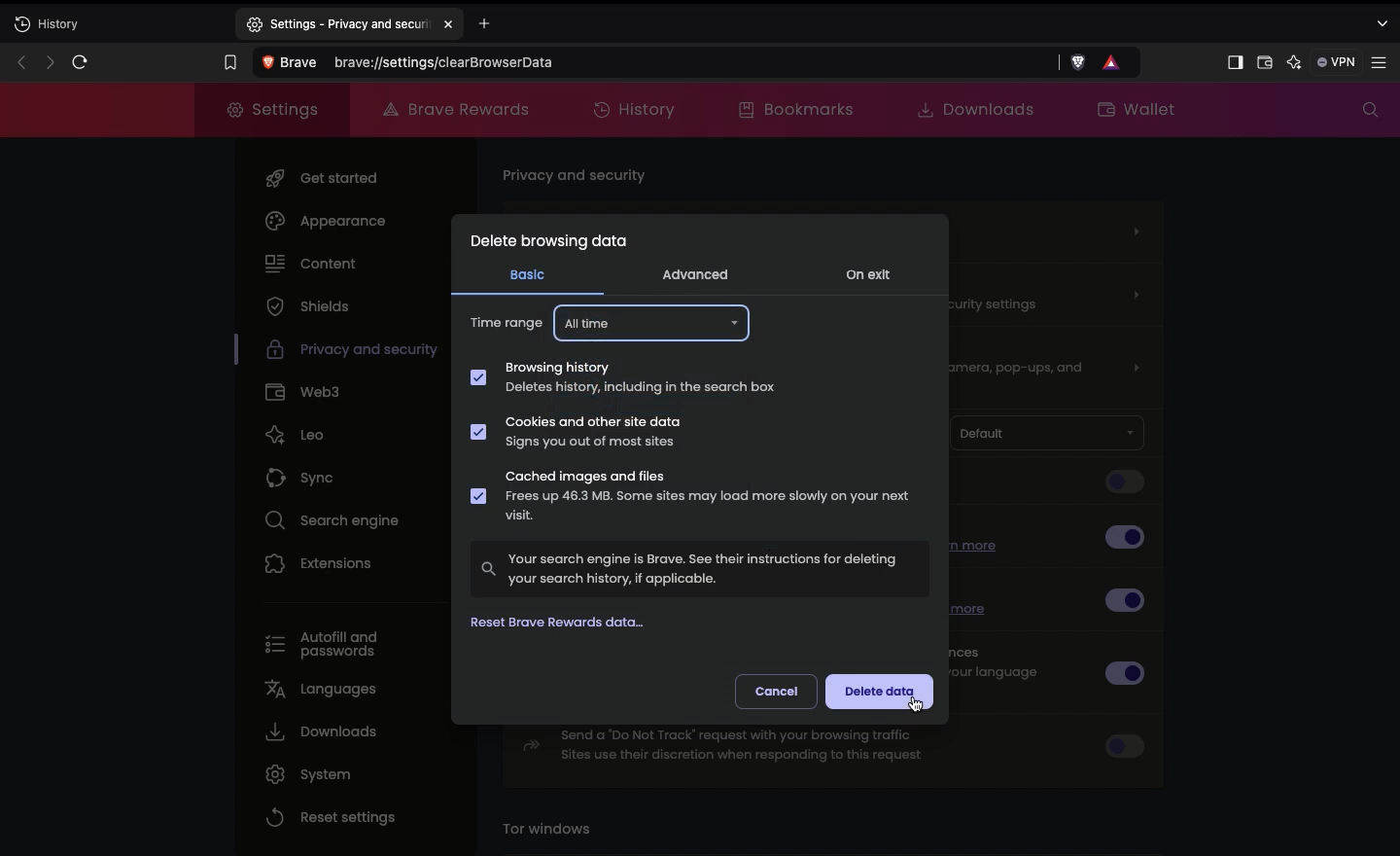 The height and width of the screenshot is (856, 1400). What do you see at coordinates (1233, 62) in the screenshot?
I see `Sidebar` at bounding box center [1233, 62].